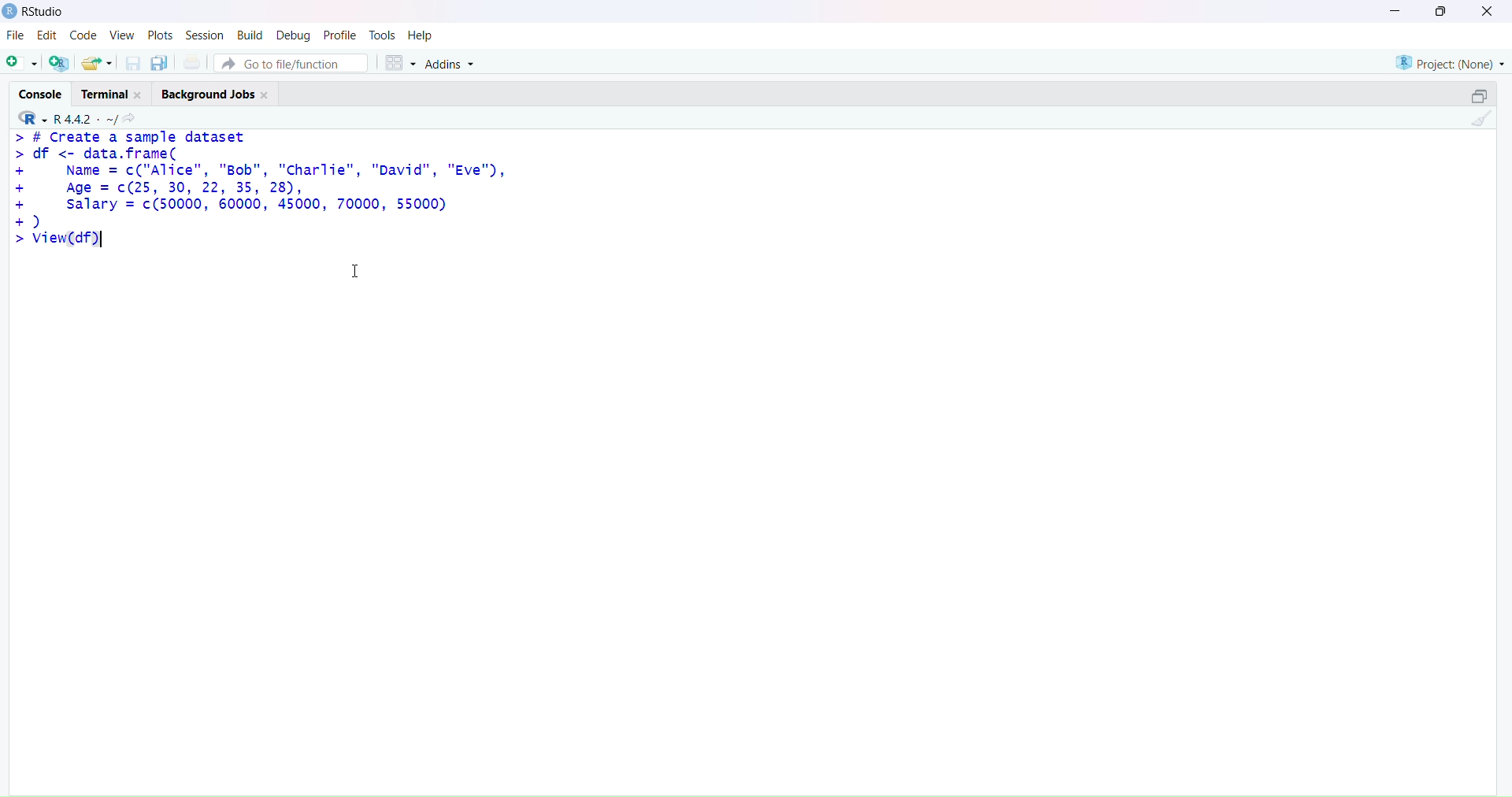 The image size is (1512, 797). I want to click on help, so click(423, 35).